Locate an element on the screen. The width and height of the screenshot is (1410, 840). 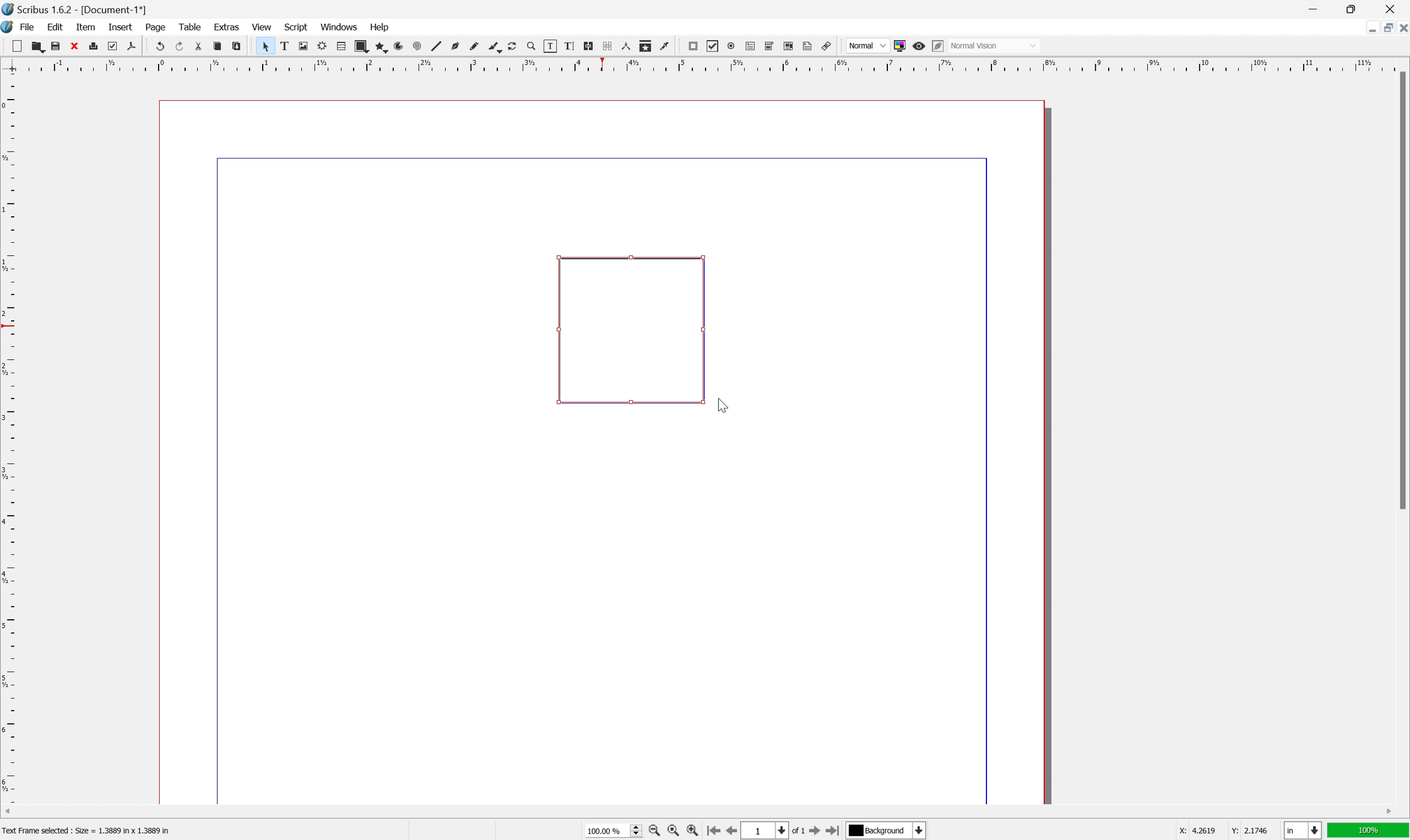
rotate item is located at coordinates (513, 46).